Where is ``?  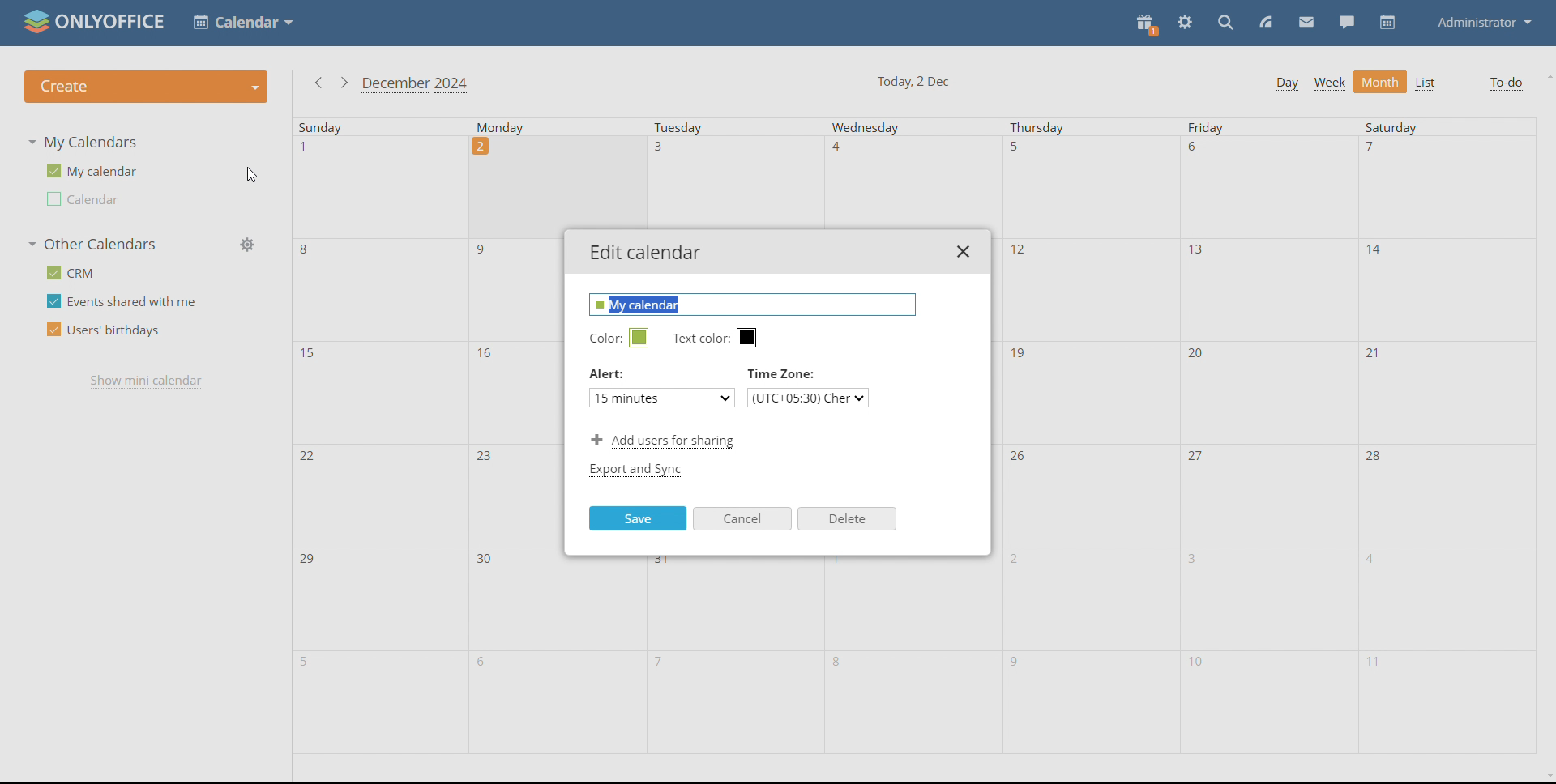  is located at coordinates (737, 184).